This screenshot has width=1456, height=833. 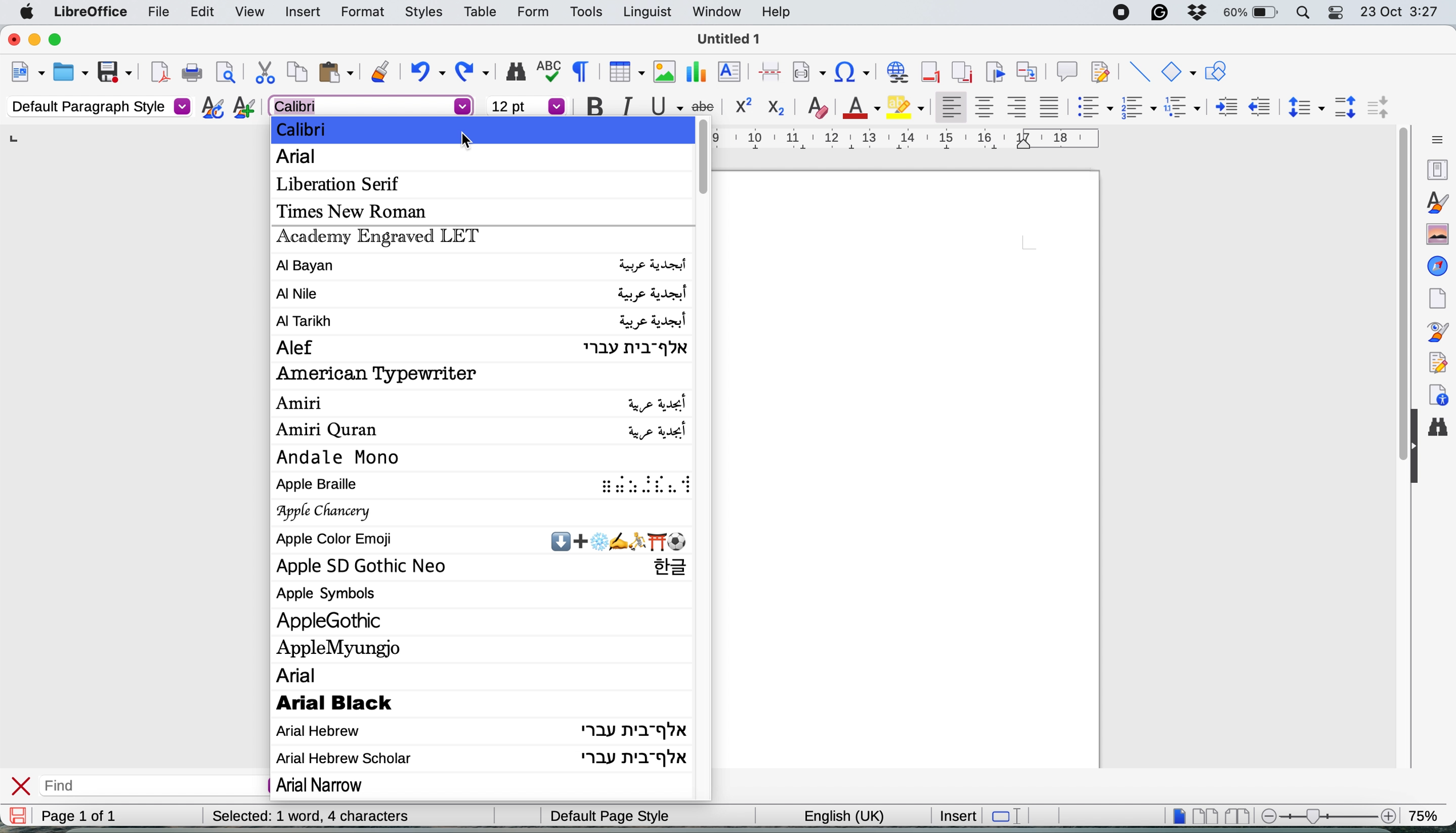 I want to click on window, so click(x=714, y=14).